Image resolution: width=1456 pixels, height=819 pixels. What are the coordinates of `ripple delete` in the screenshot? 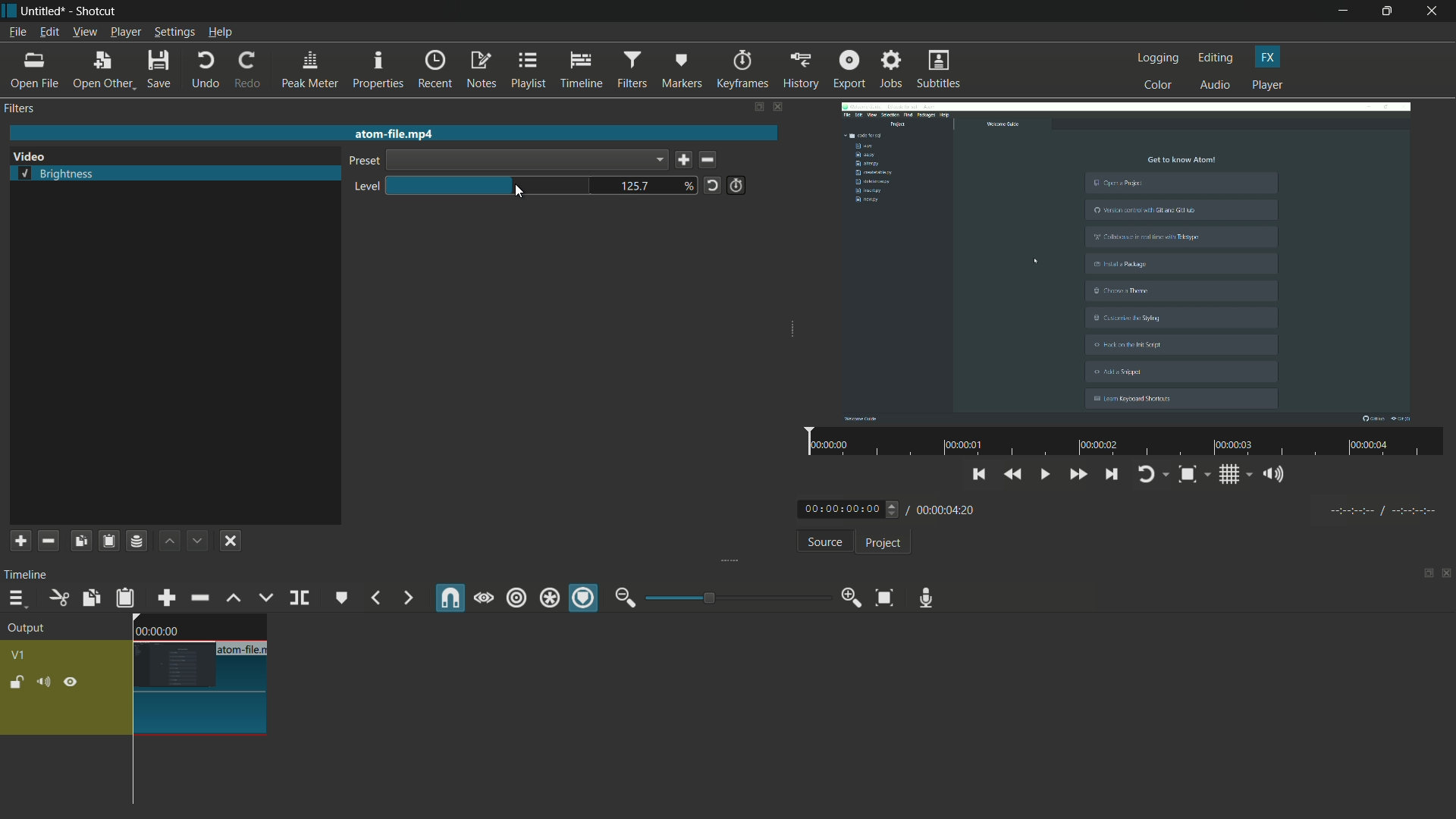 It's located at (199, 598).